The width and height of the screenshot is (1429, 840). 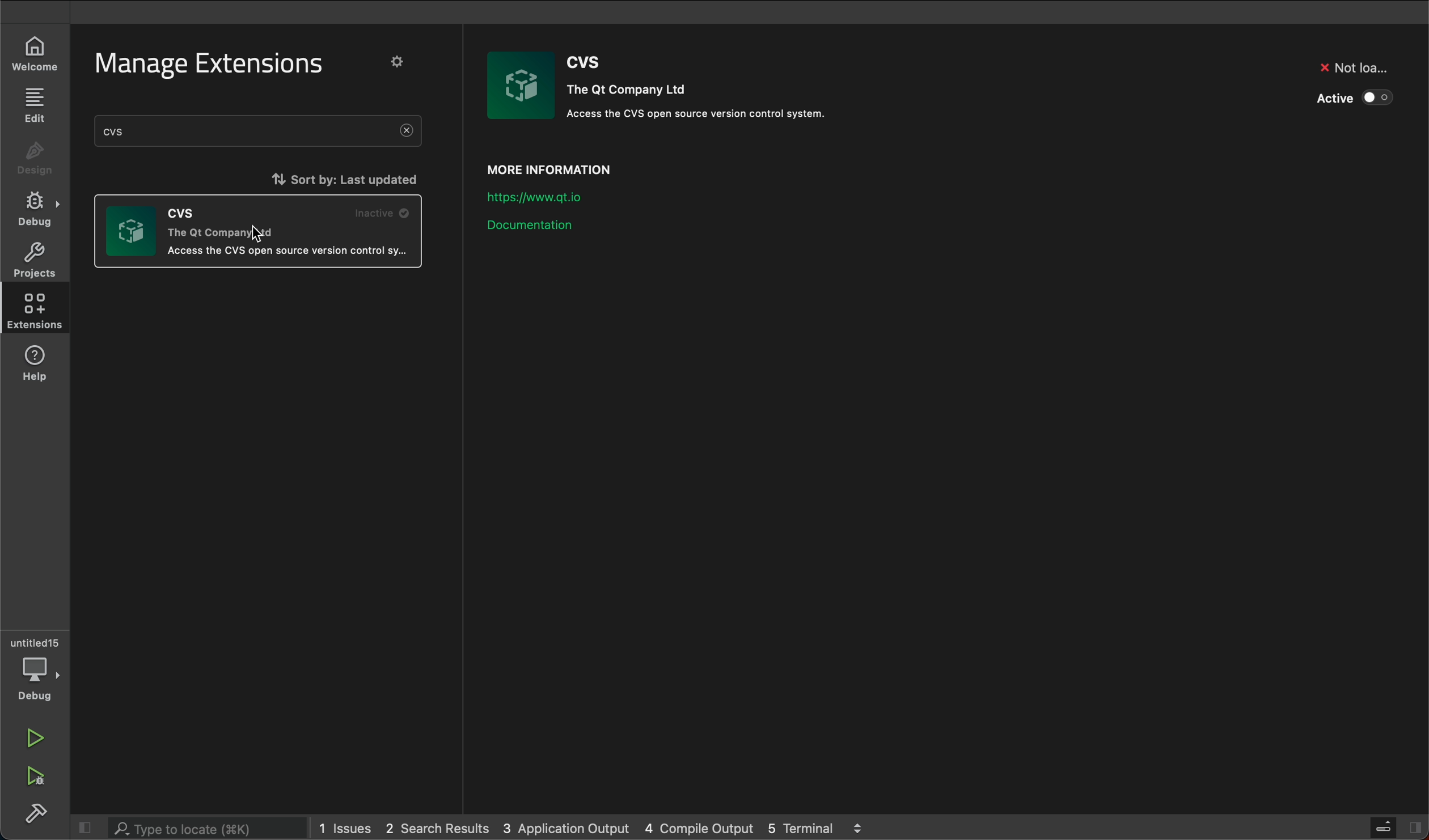 I want to click on company, so click(x=635, y=91).